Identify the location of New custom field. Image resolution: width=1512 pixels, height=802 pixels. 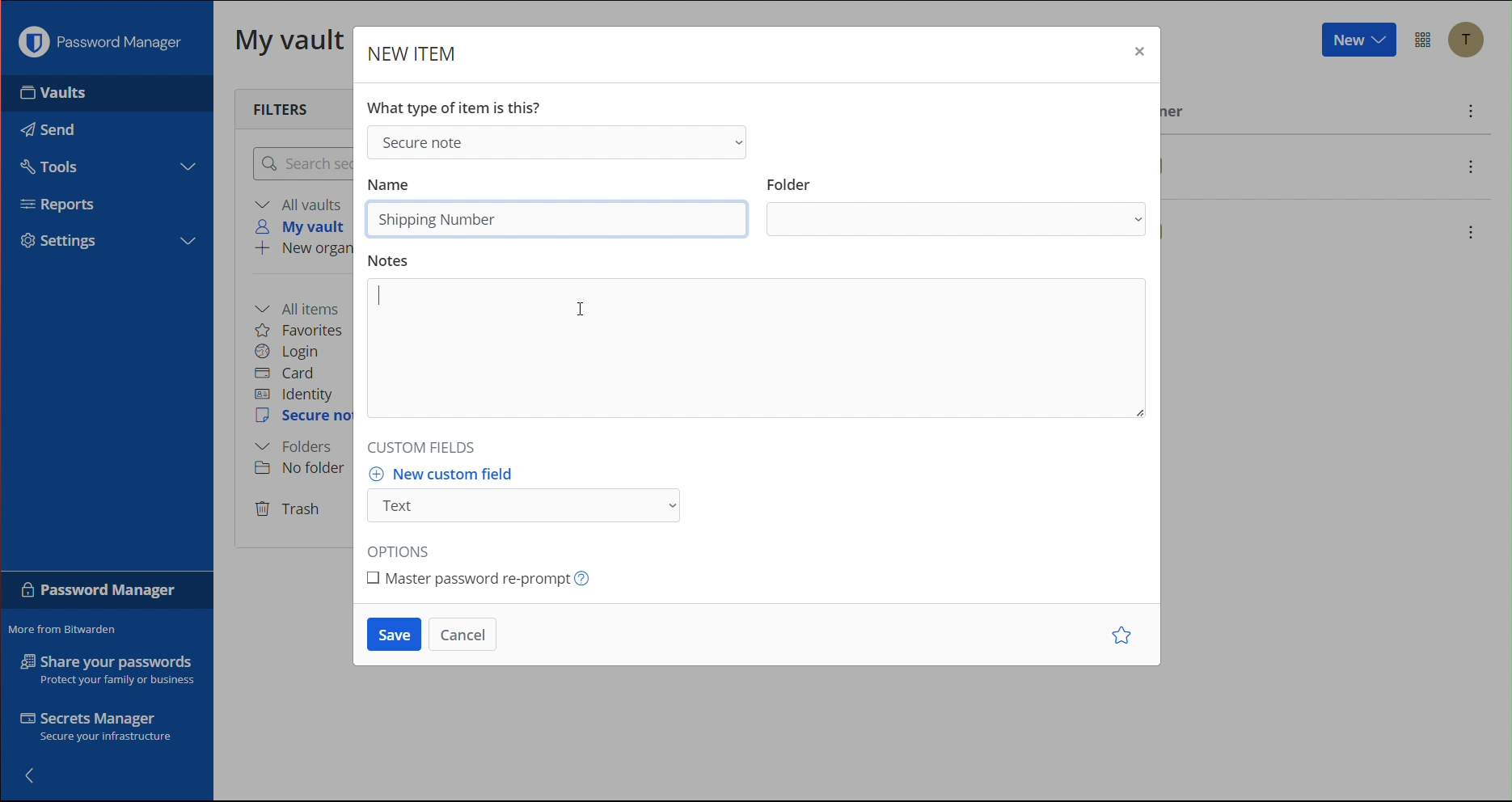
(538, 495).